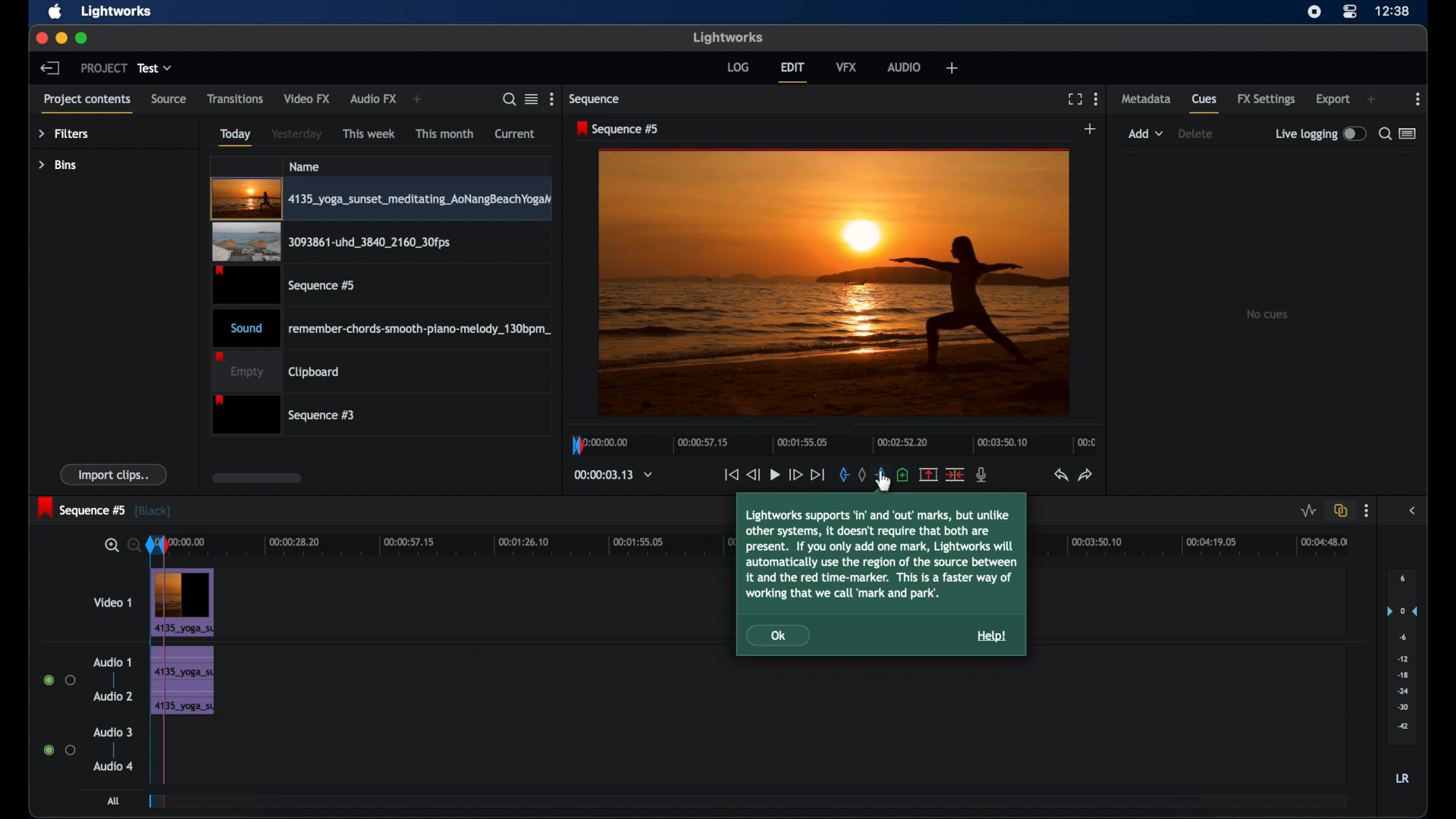  What do you see at coordinates (112, 696) in the screenshot?
I see `audio 2` at bounding box center [112, 696].